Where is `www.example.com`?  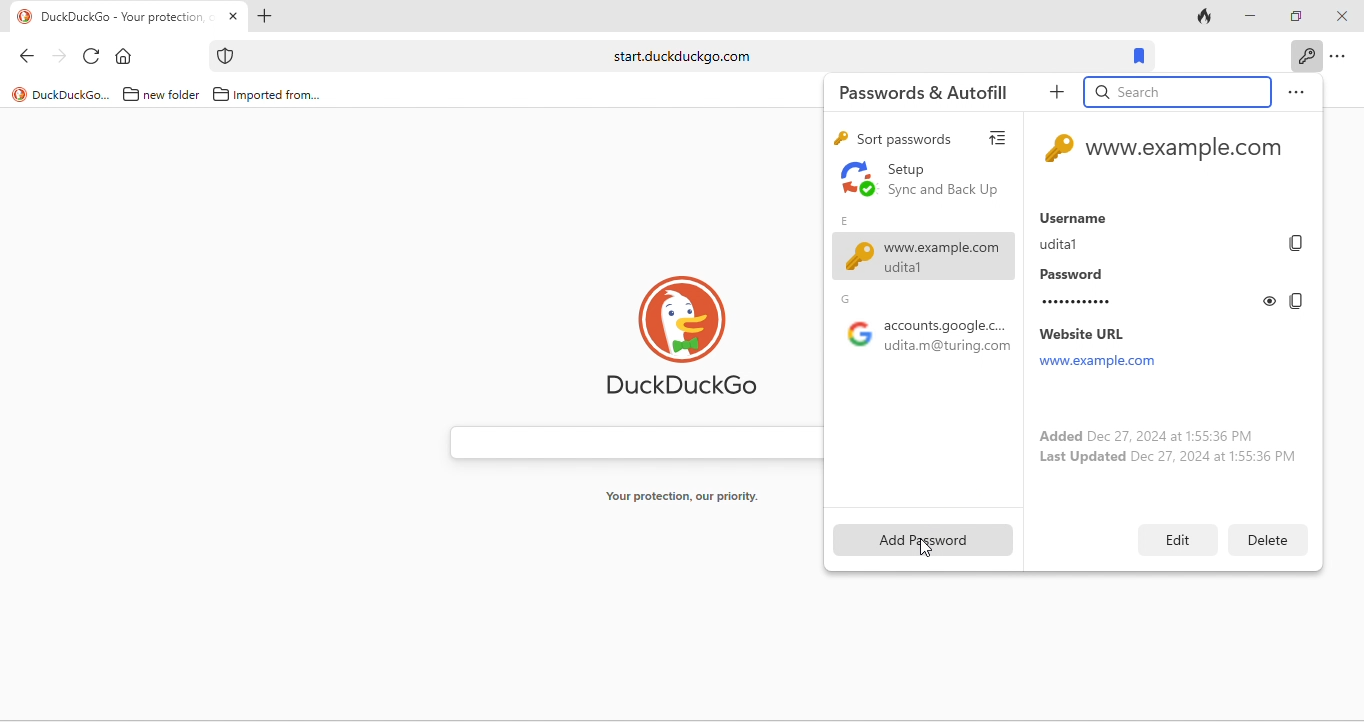
www.example.com is located at coordinates (1189, 150).